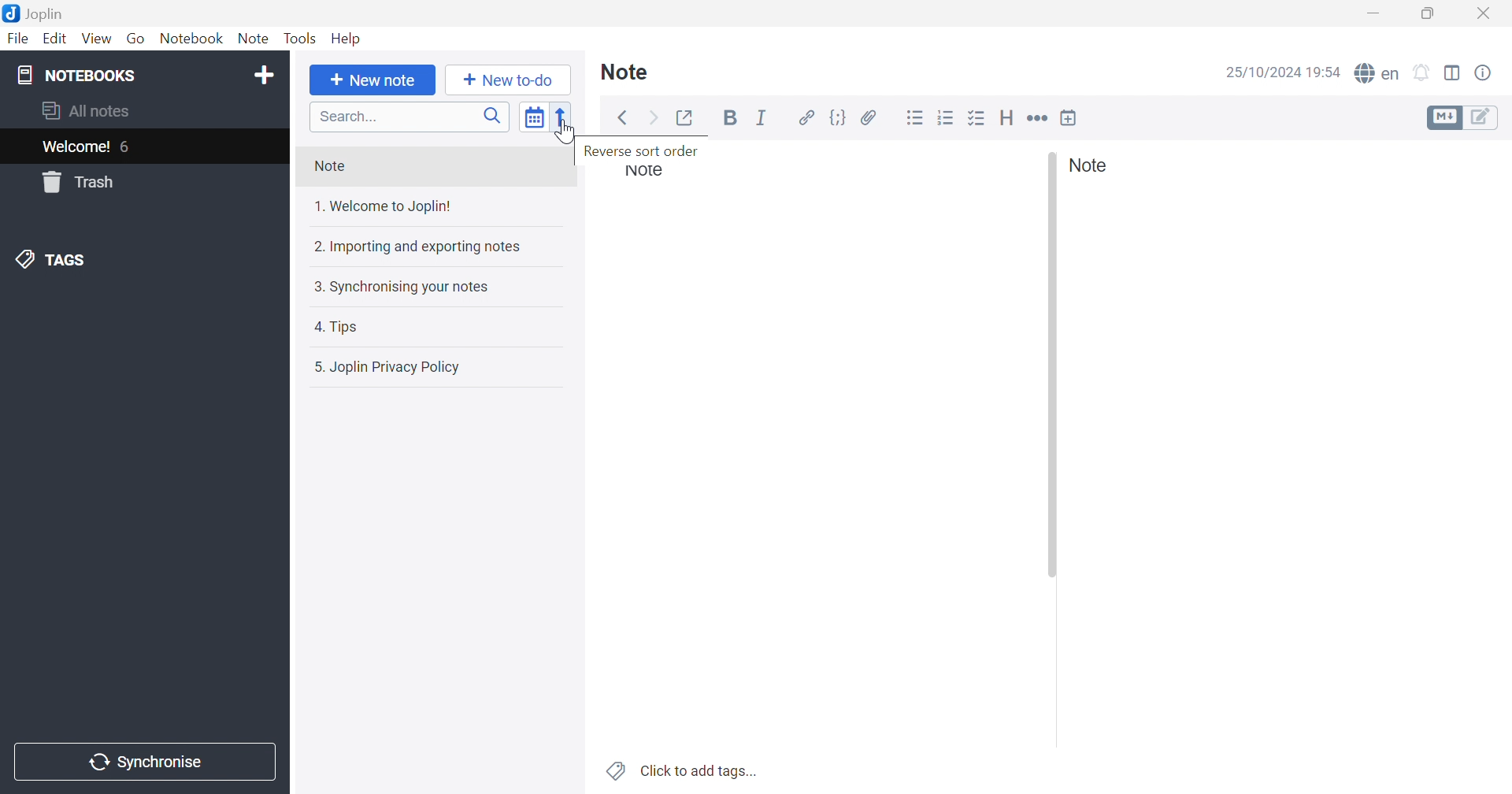 The image size is (1512, 794). What do you see at coordinates (254, 39) in the screenshot?
I see `Note` at bounding box center [254, 39].